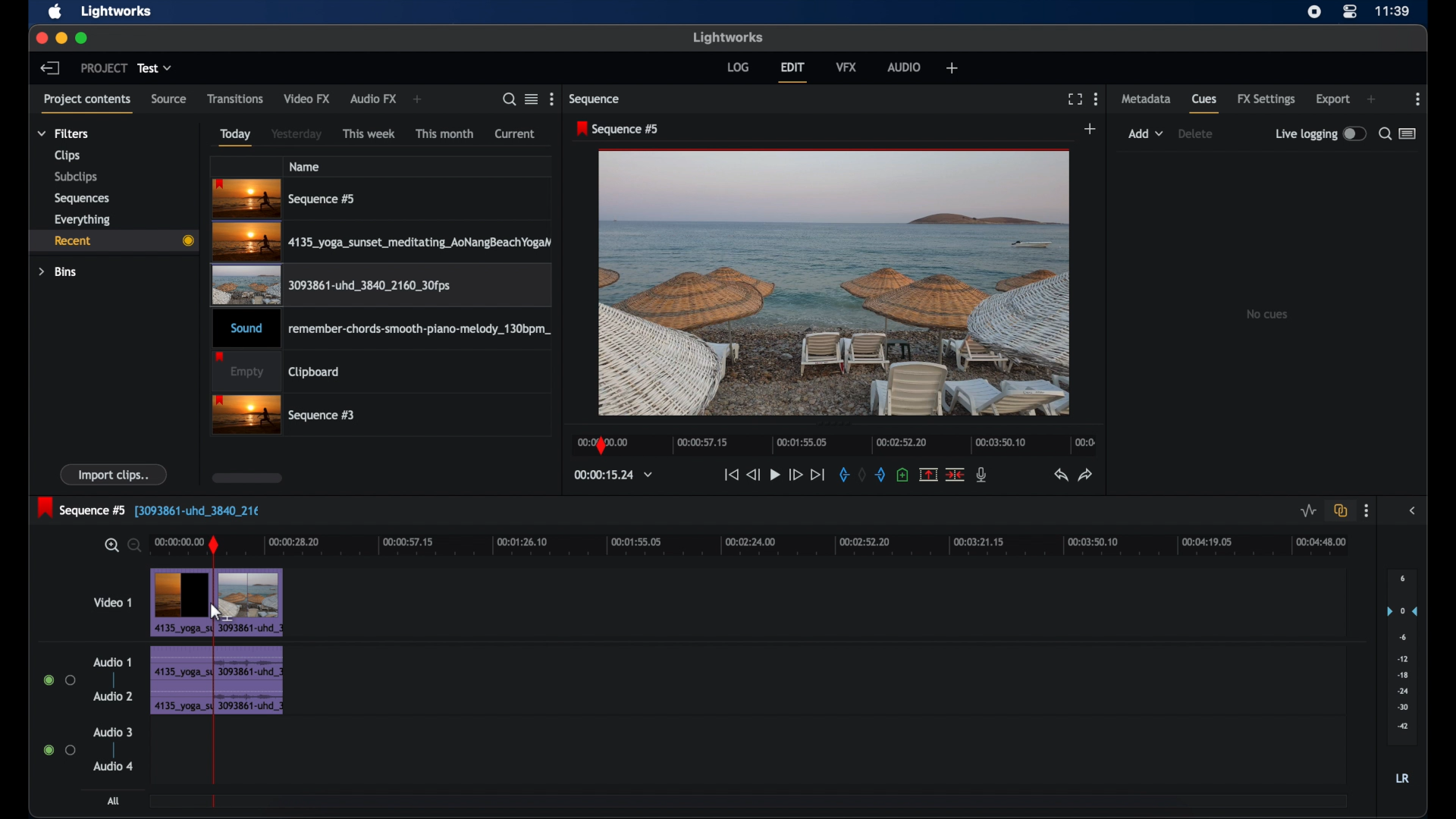 The image size is (1456, 819). Describe the element at coordinates (379, 329) in the screenshot. I see `audio clip` at that location.